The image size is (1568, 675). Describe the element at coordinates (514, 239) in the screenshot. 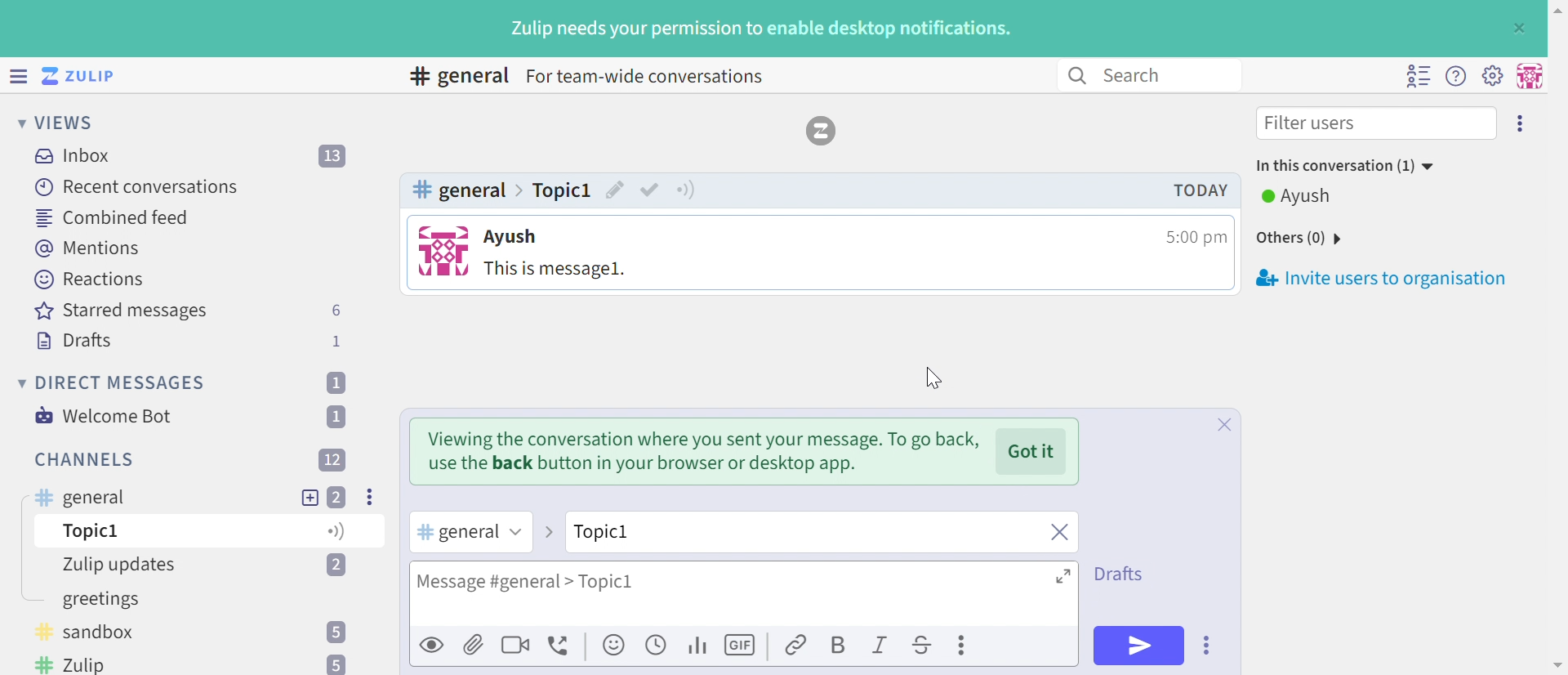

I see `Ayush` at that location.